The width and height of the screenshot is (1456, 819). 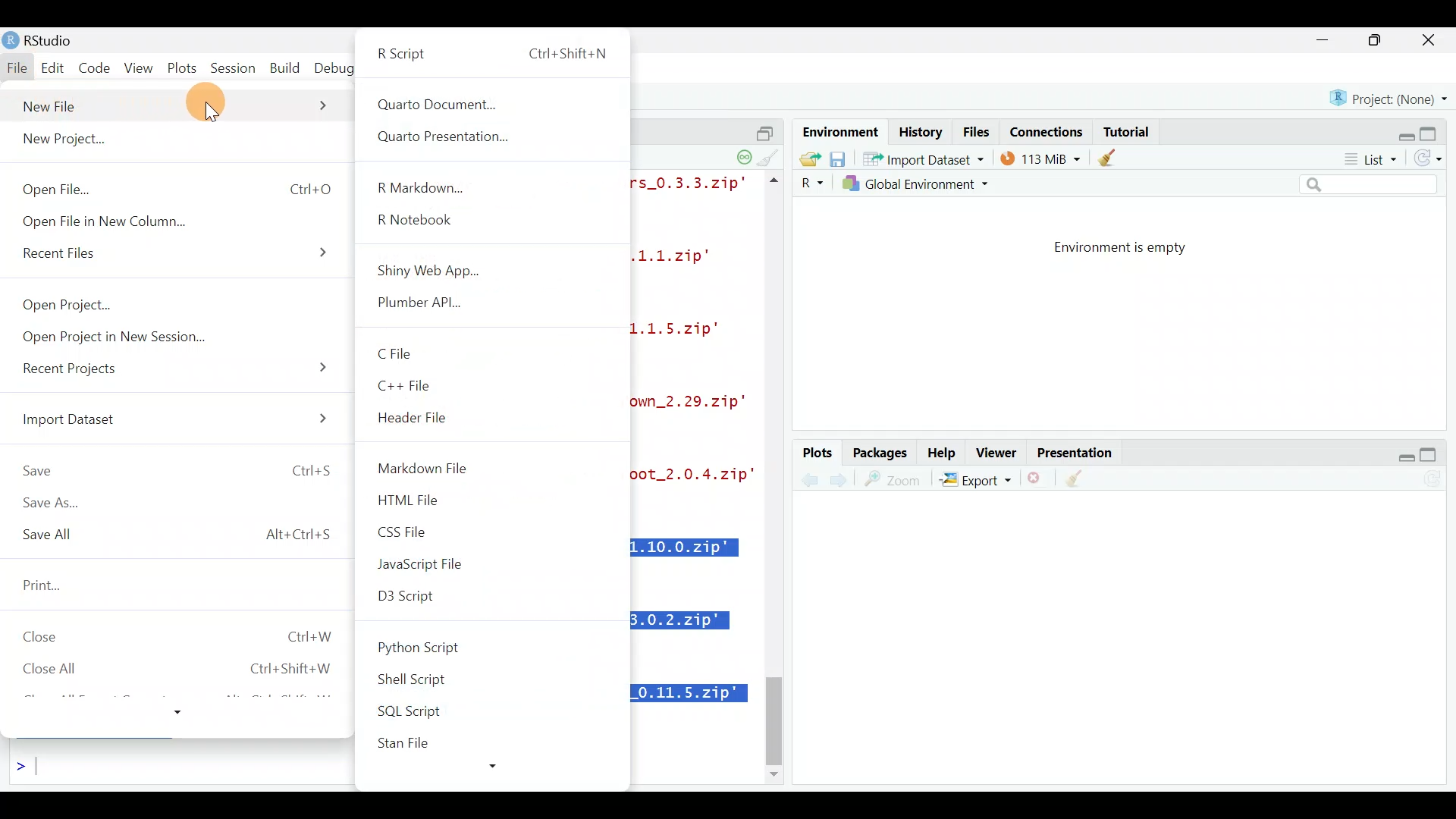 I want to click on Line cursor, so click(x=27, y=769).